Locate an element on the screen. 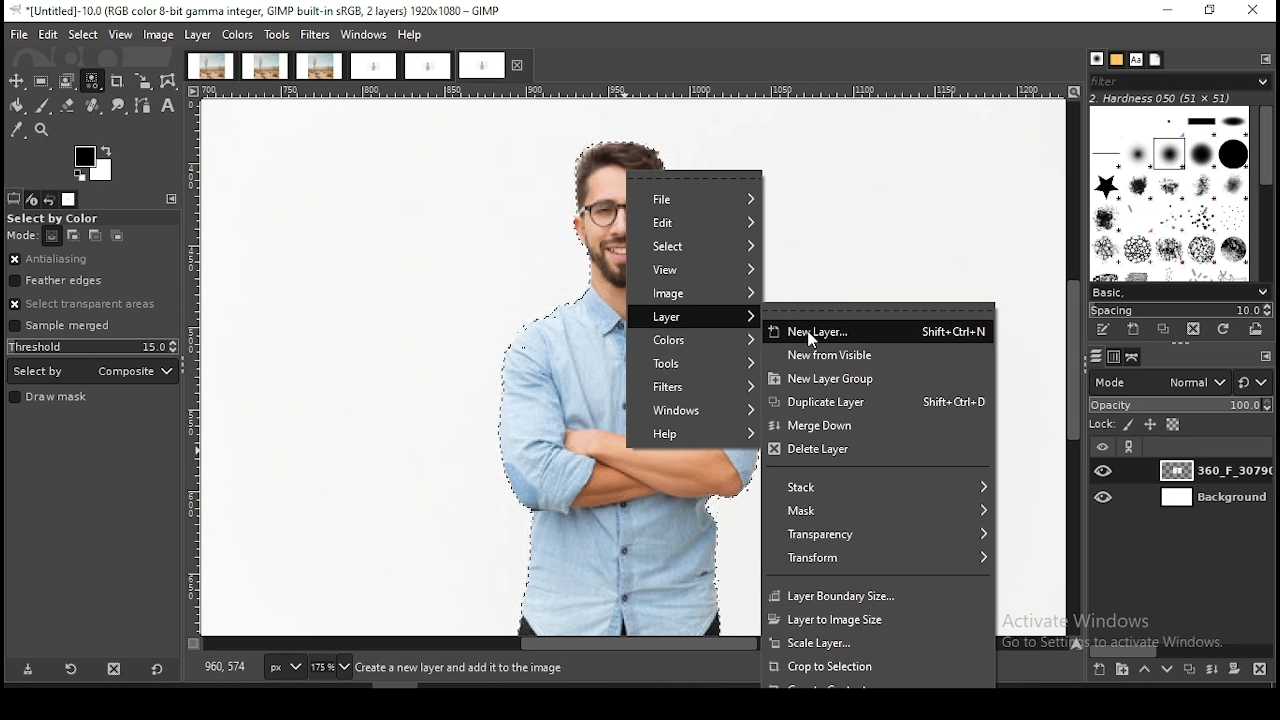 This screenshot has width=1280, height=720. hardness 050 (51x51) is located at coordinates (1161, 98).